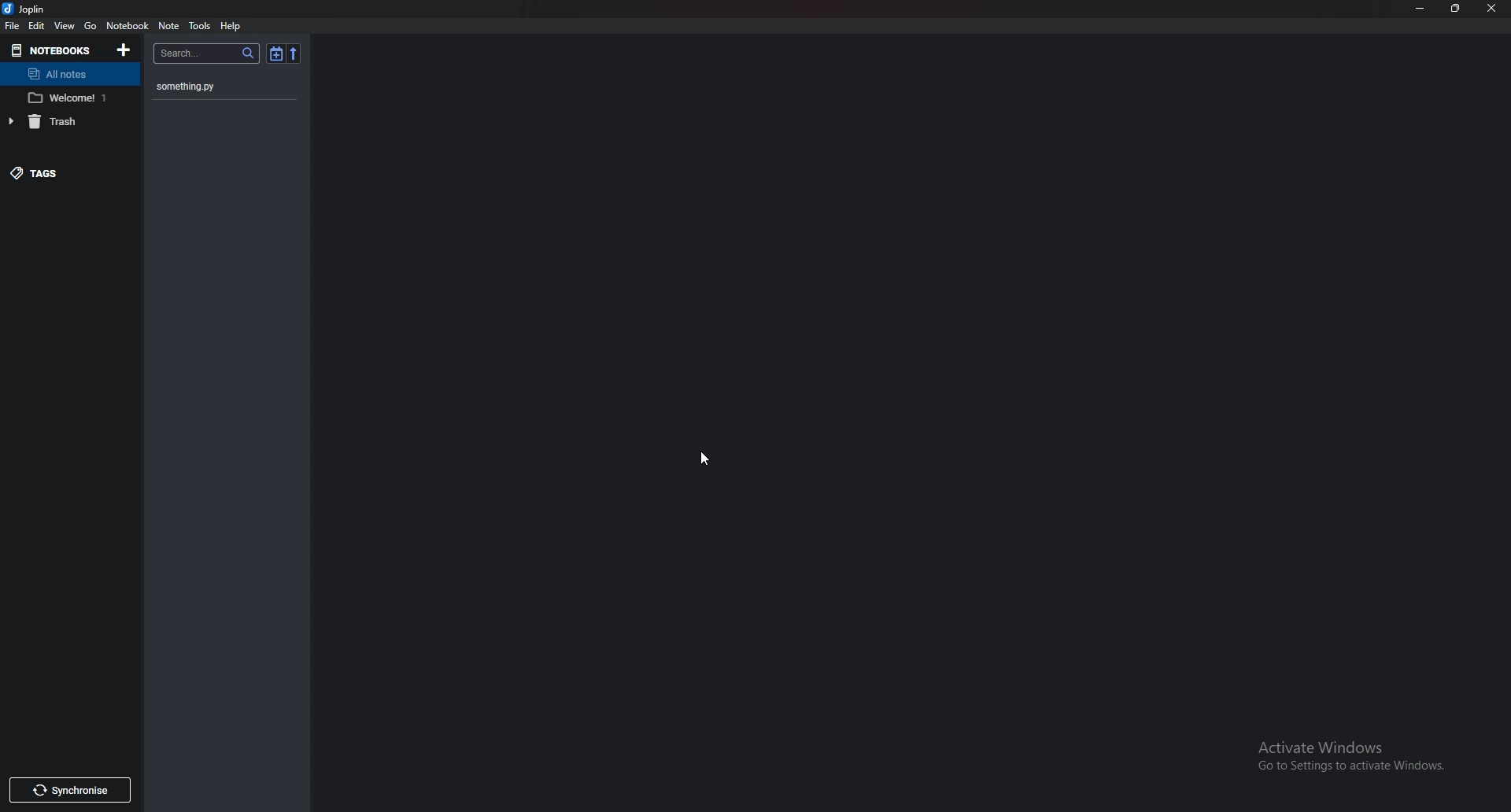 The height and width of the screenshot is (812, 1511). I want to click on Synchronize, so click(68, 790).